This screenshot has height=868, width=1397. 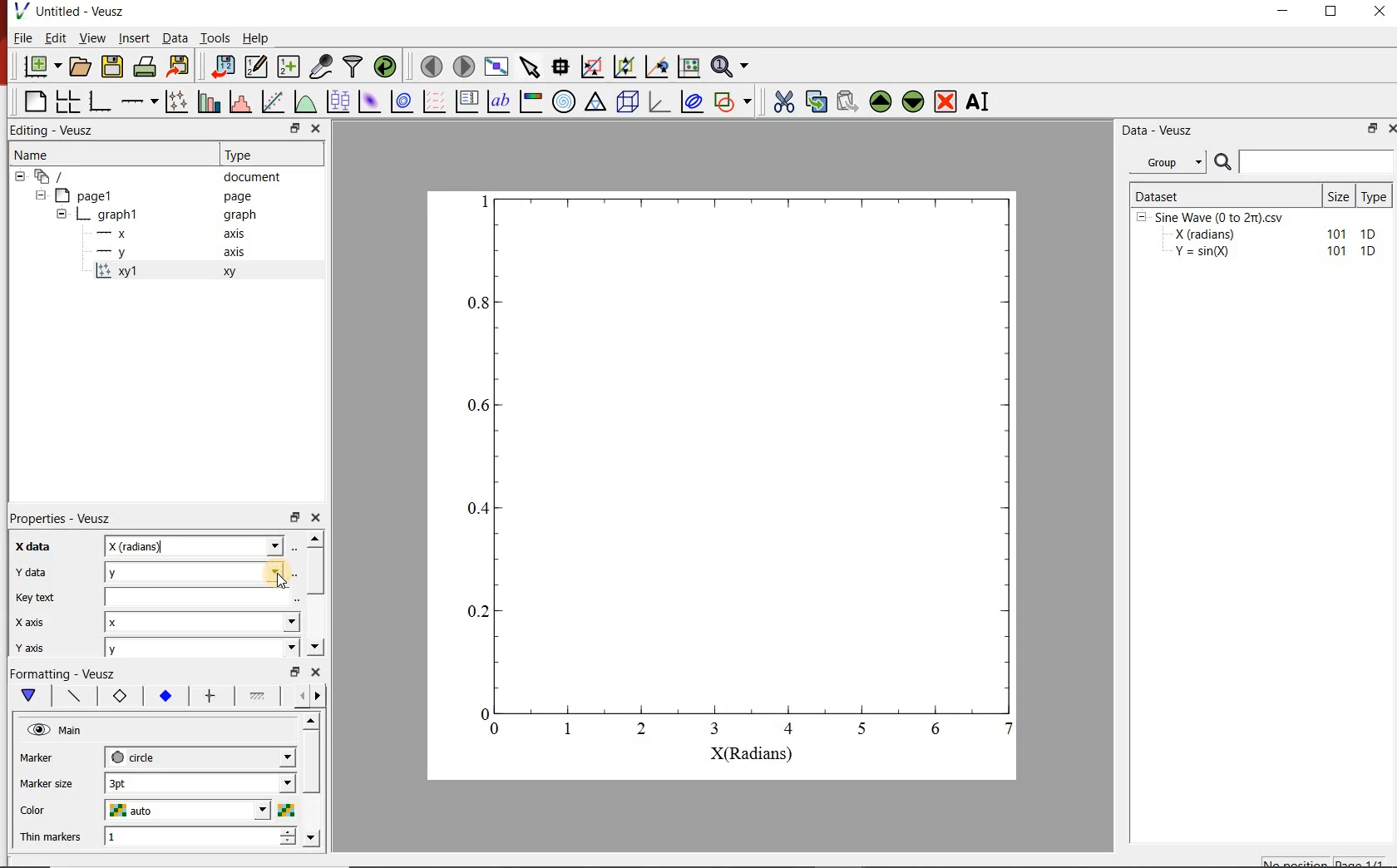 What do you see at coordinates (146, 67) in the screenshot?
I see `print` at bounding box center [146, 67].